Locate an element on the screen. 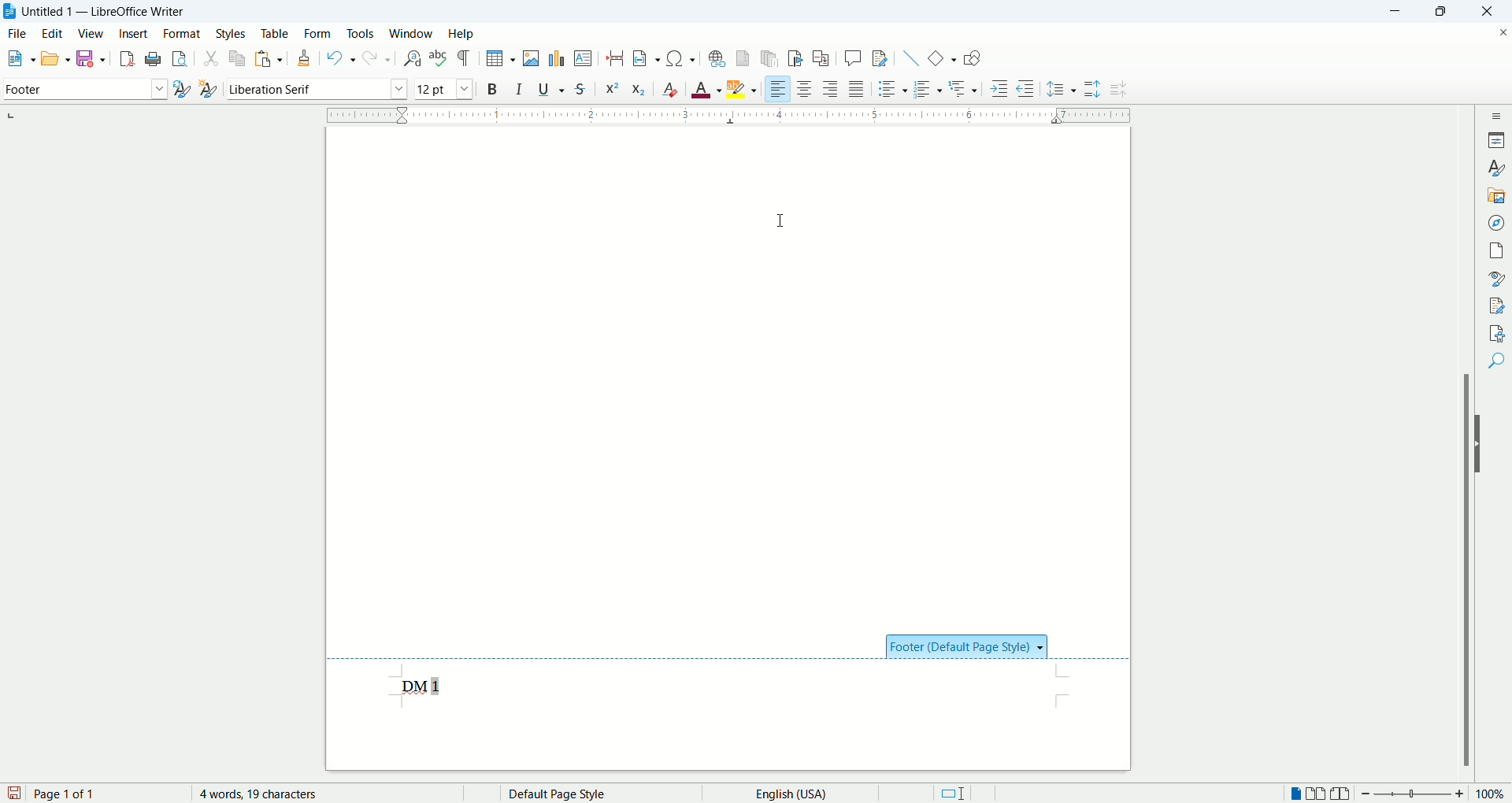 This screenshot has width=1512, height=803. book view is located at coordinates (1341, 794).